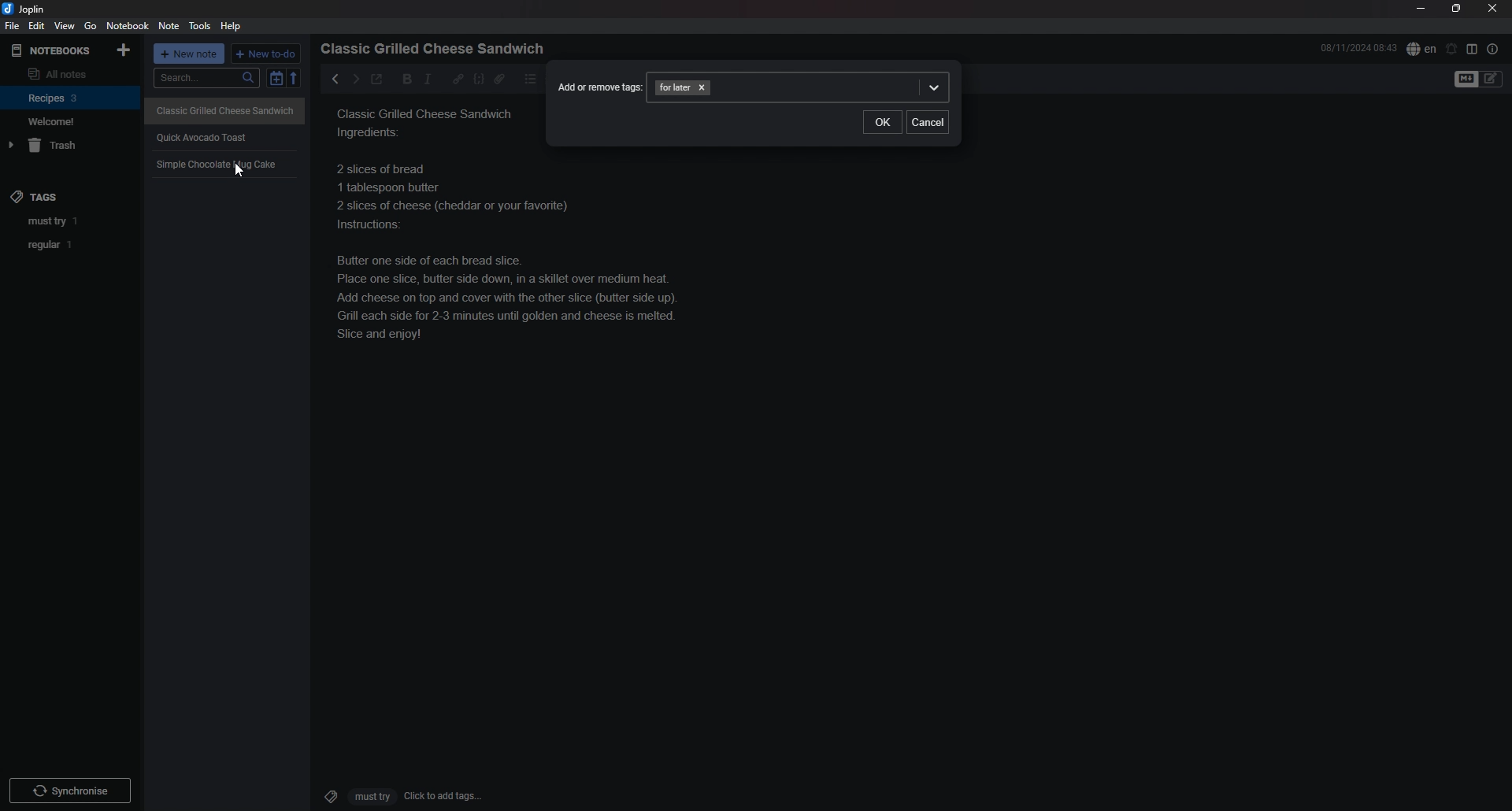  I want to click on Classic grilled cheese sandwich ingredients, so click(430, 123).